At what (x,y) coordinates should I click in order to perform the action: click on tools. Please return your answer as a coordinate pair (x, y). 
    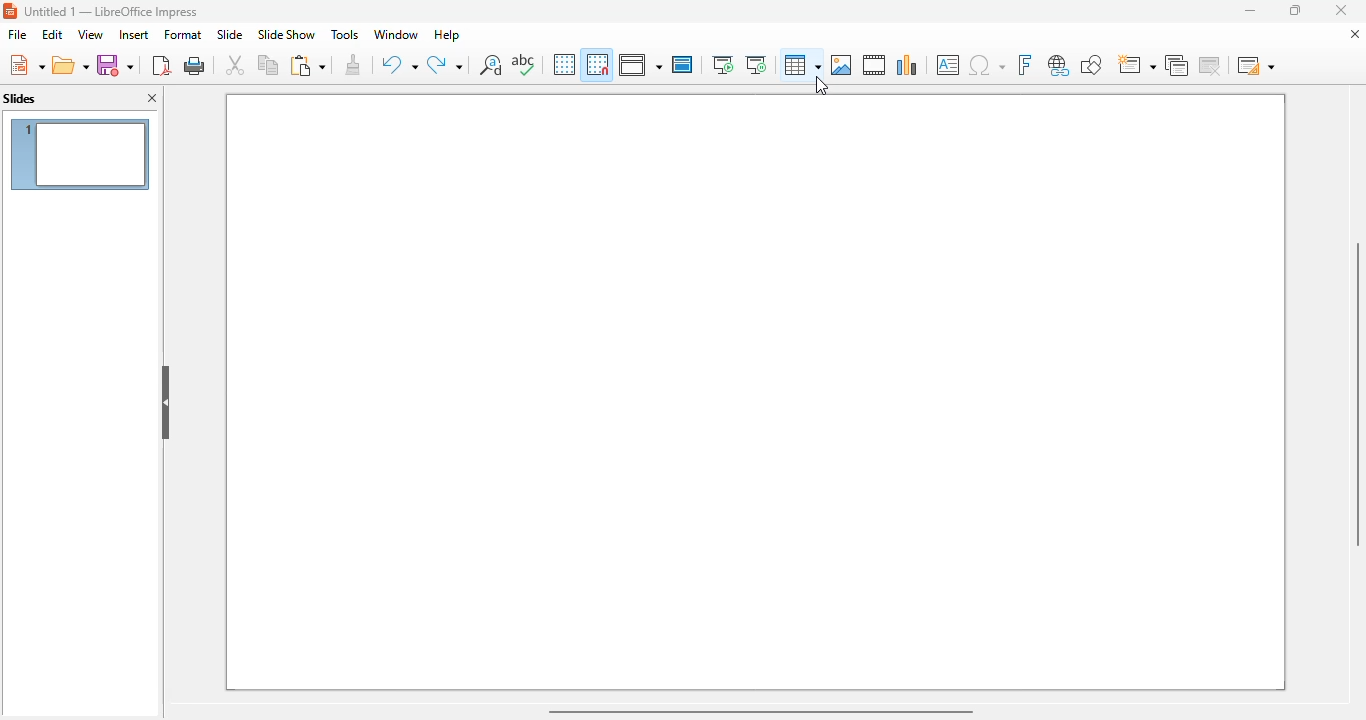
    Looking at the image, I should click on (344, 34).